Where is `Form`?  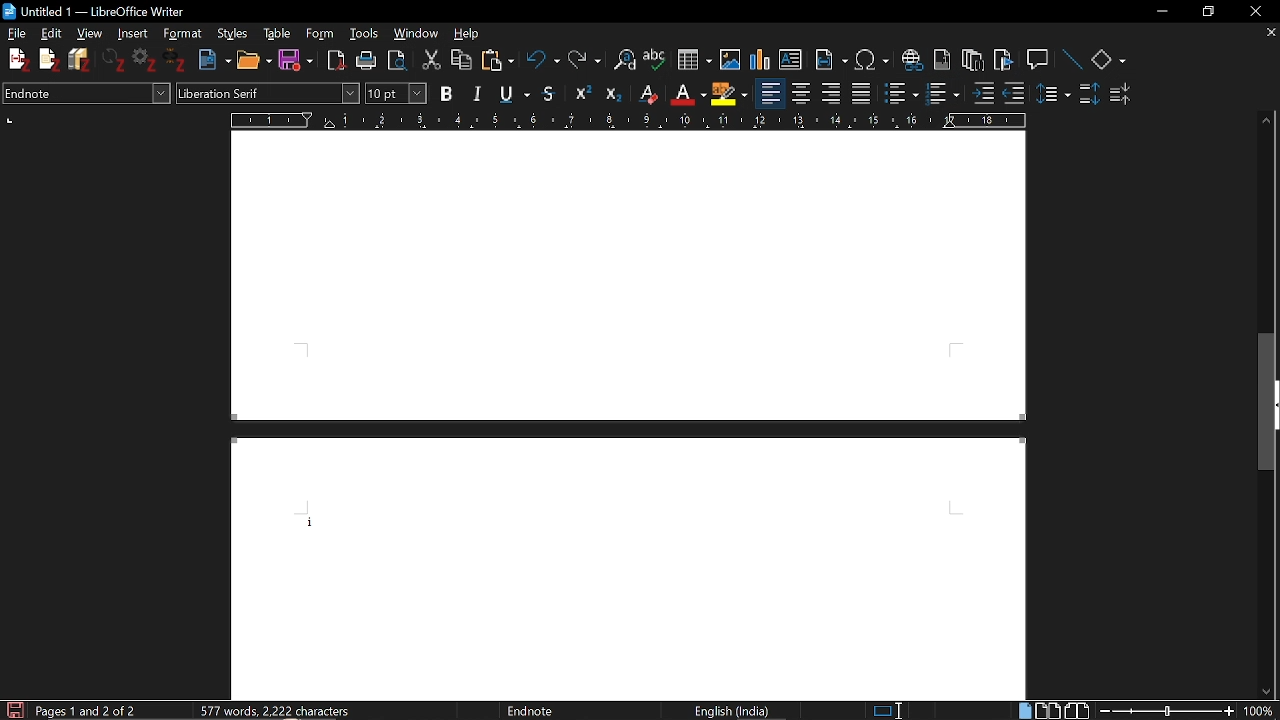
Form is located at coordinates (319, 34).